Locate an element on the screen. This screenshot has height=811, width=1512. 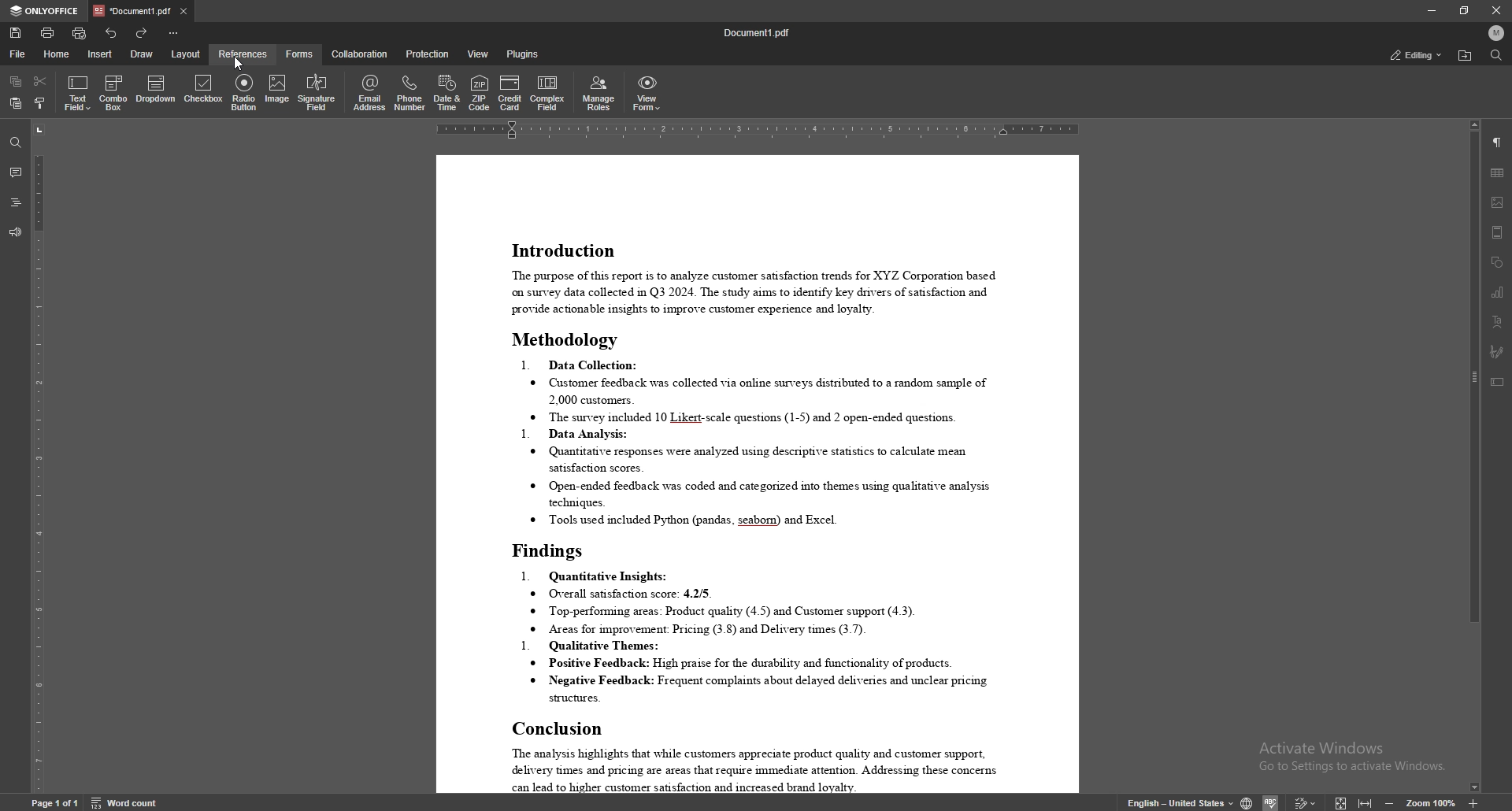
text box is located at coordinates (1496, 382).